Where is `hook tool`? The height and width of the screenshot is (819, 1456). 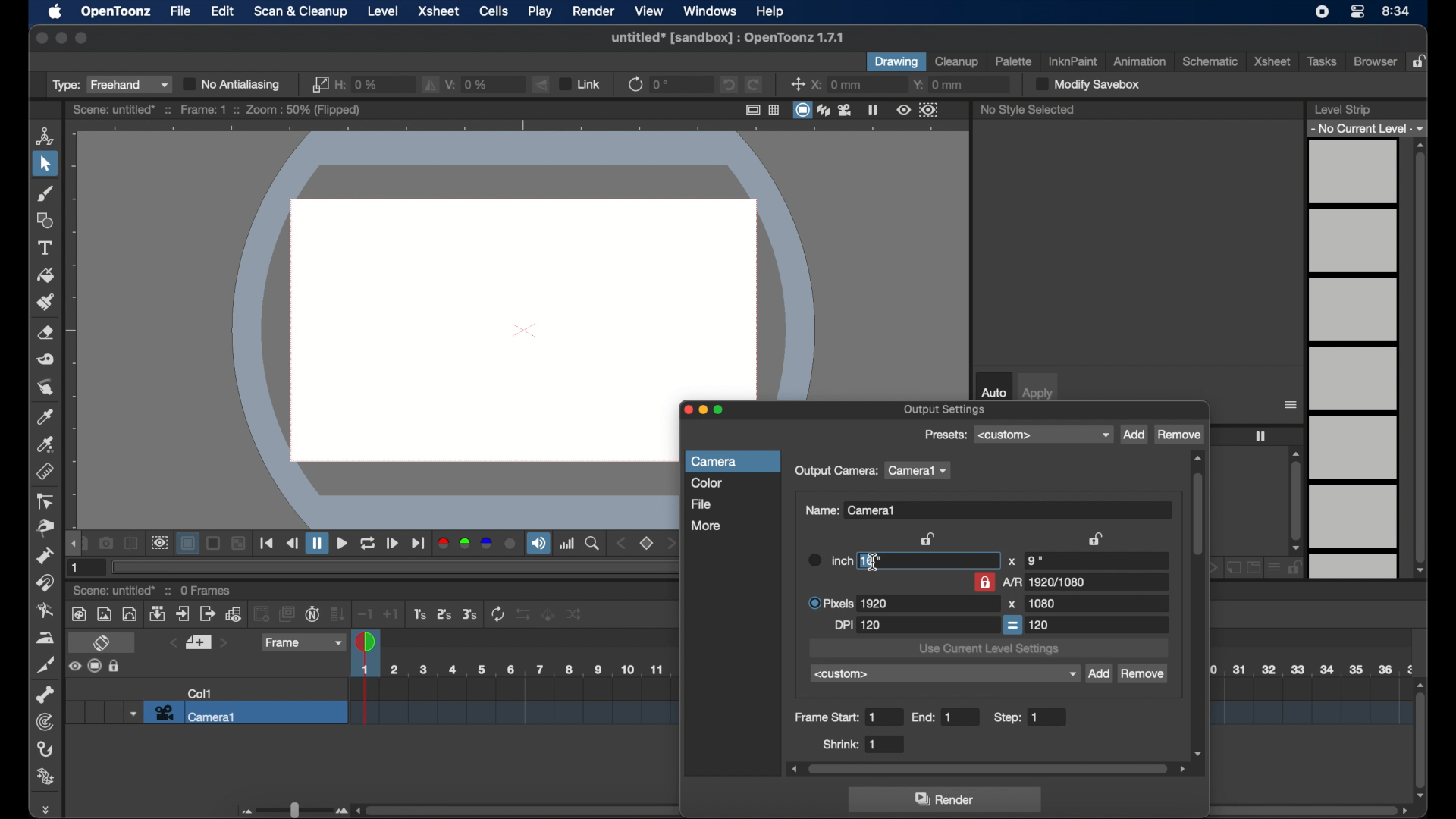 hook tool is located at coordinates (46, 749).